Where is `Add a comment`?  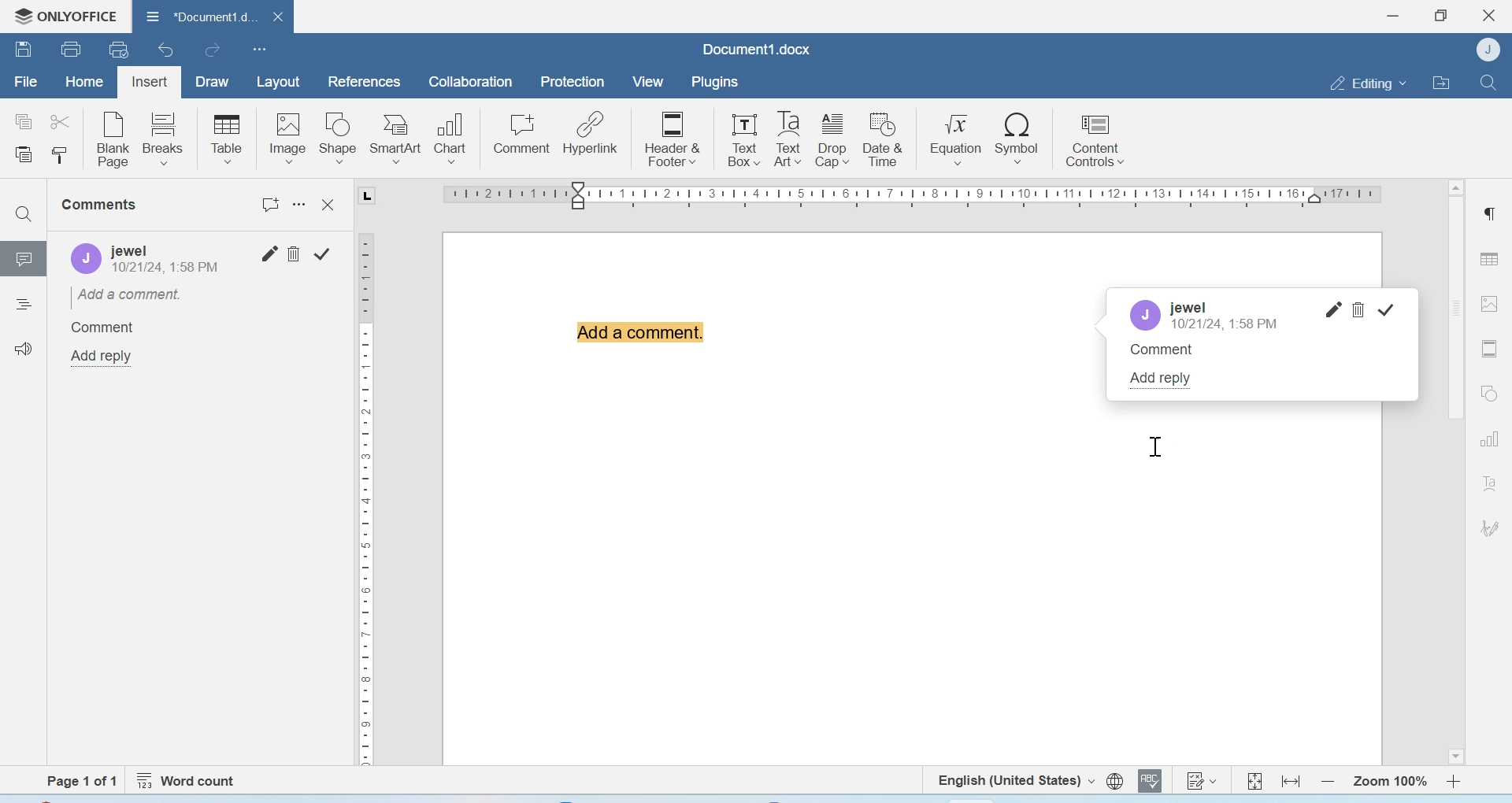
Add a comment is located at coordinates (642, 342).